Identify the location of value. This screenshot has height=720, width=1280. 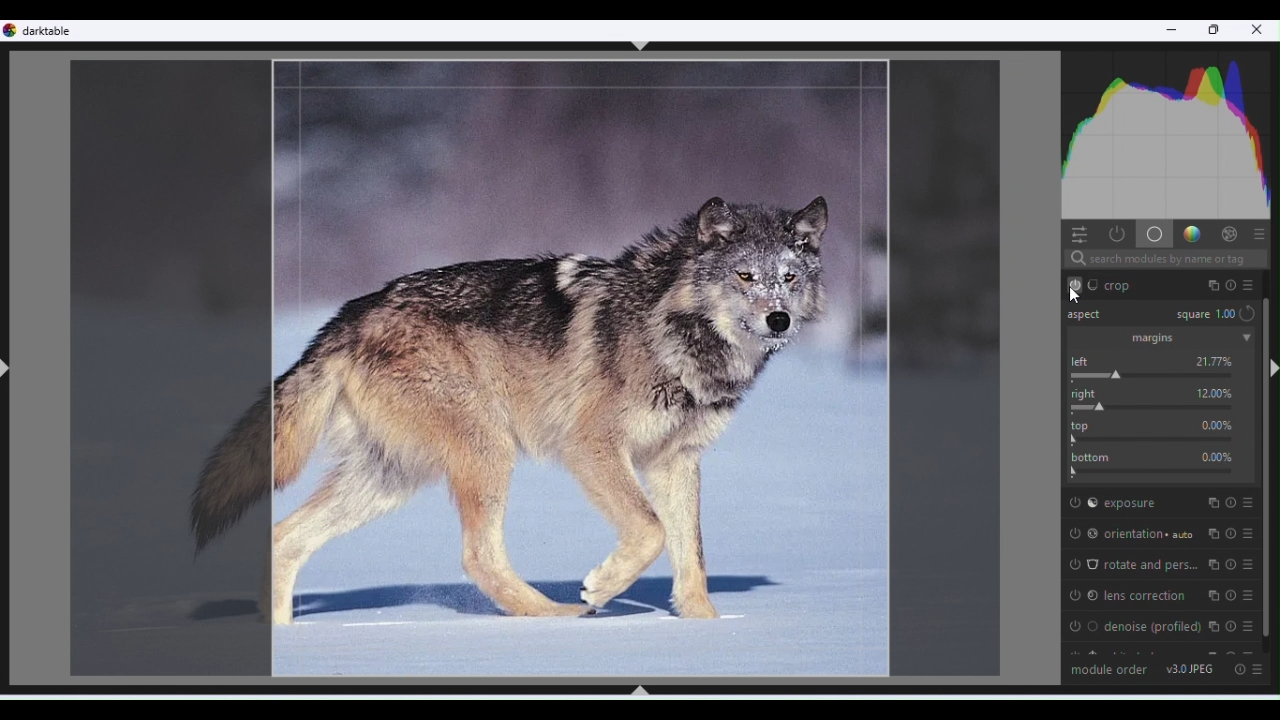
(1217, 456).